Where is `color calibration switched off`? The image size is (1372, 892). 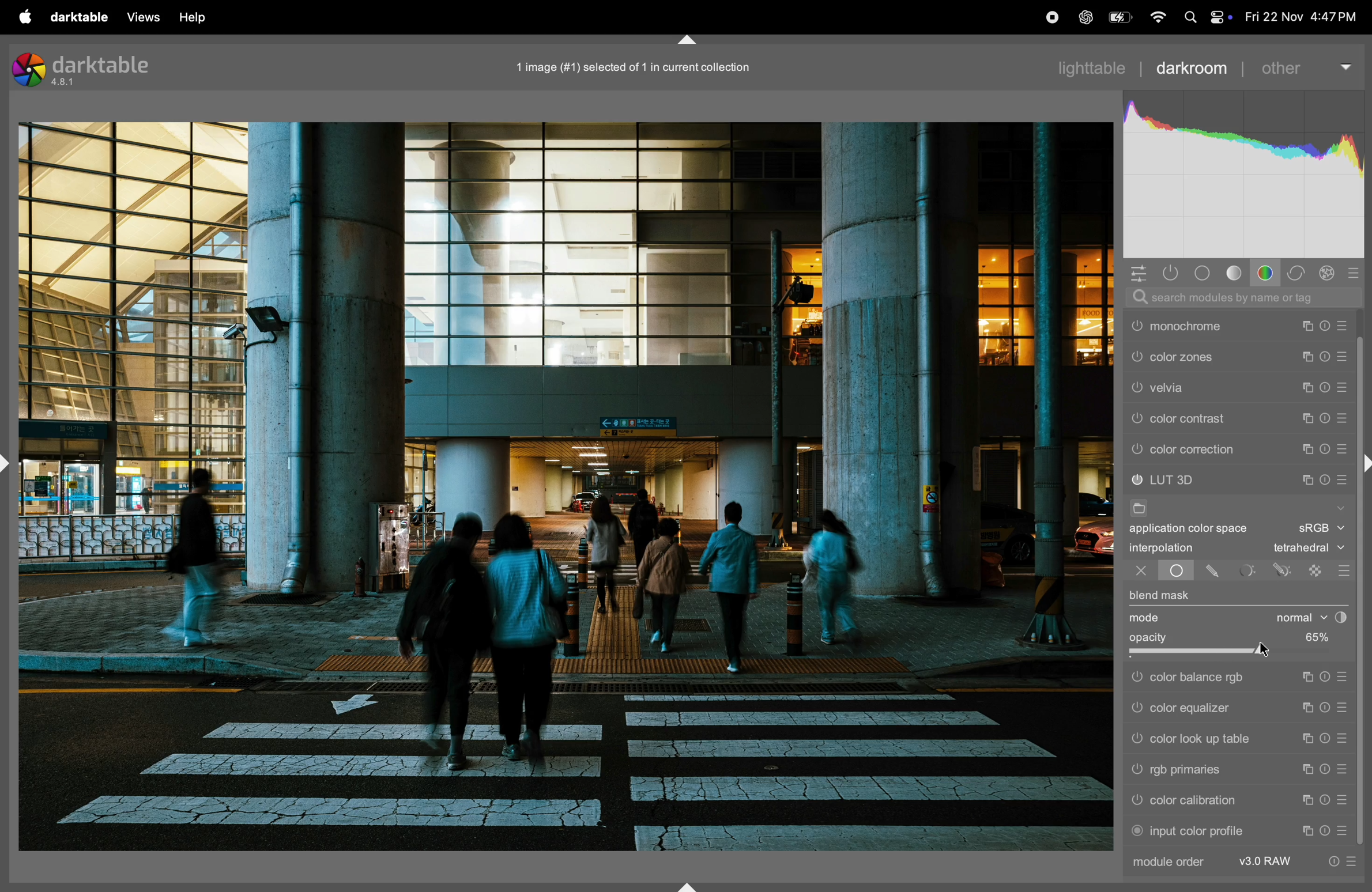
color calibration switched off is located at coordinates (1139, 802).